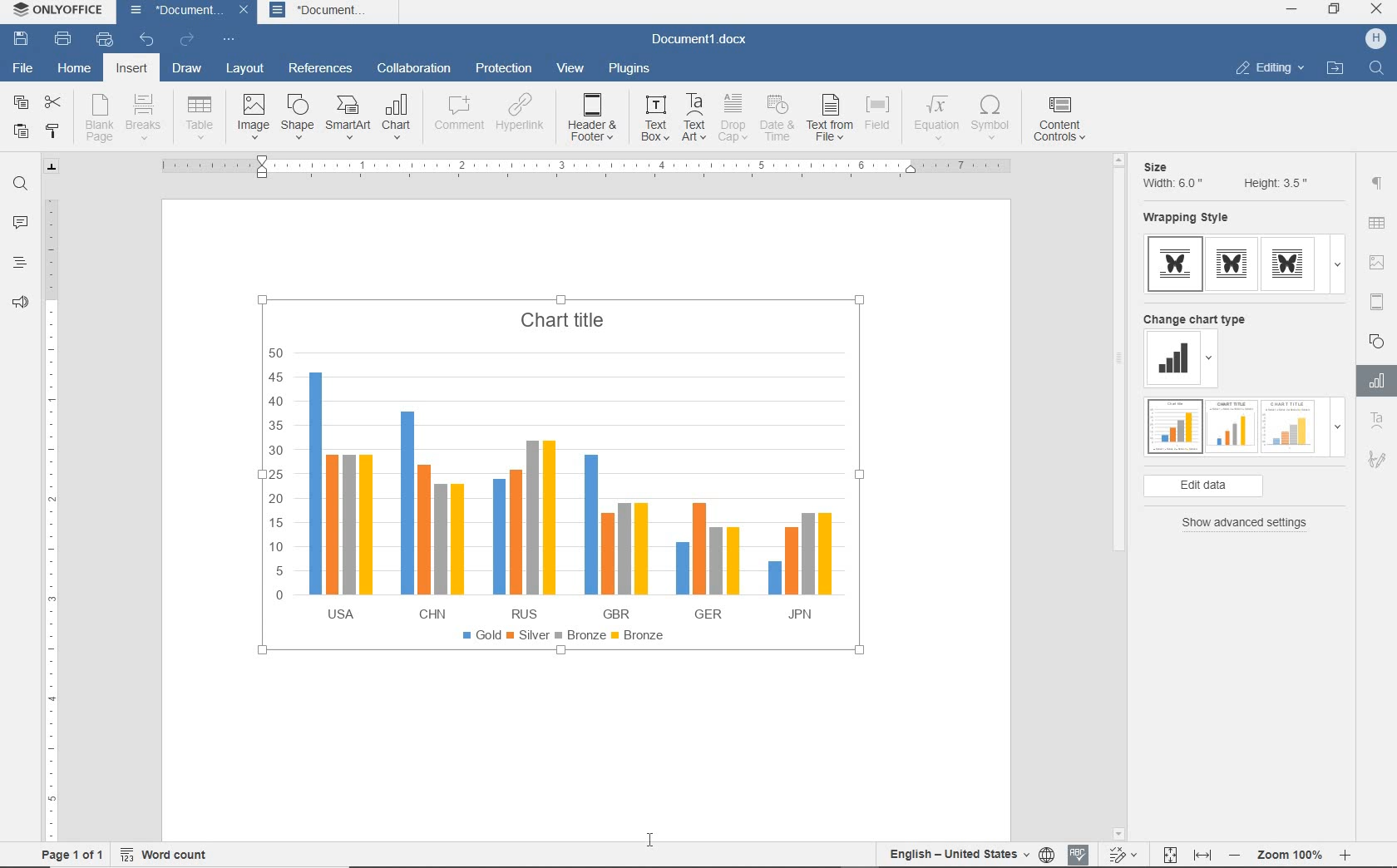 This screenshot has width=1397, height=868. What do you see at coordinates (1202, 855) in the screenshot?
I see `fit to width` at bounding box center [1202, 855].